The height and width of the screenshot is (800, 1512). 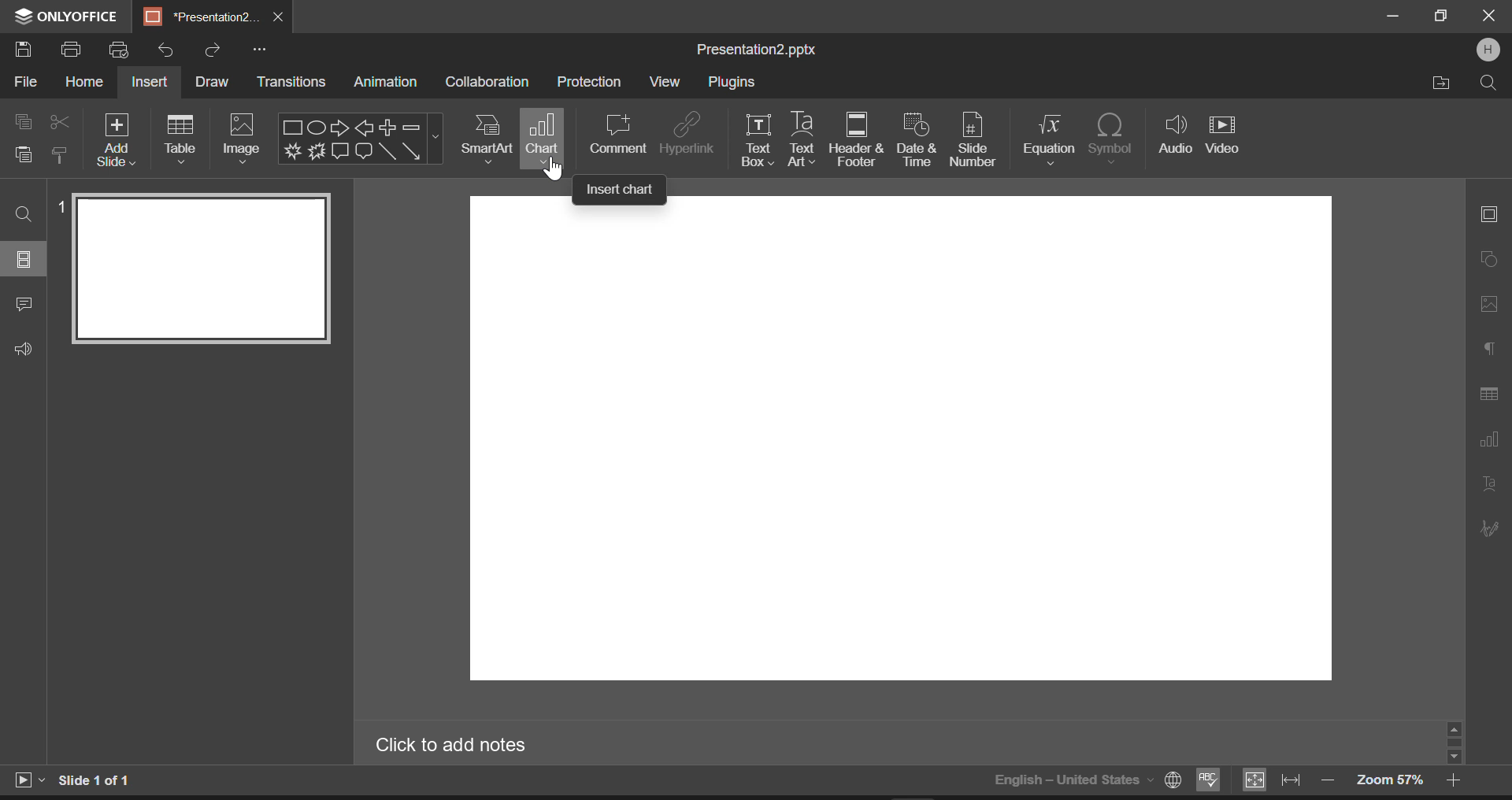 I want to click on Copy Style, so click(x=61, y=157).